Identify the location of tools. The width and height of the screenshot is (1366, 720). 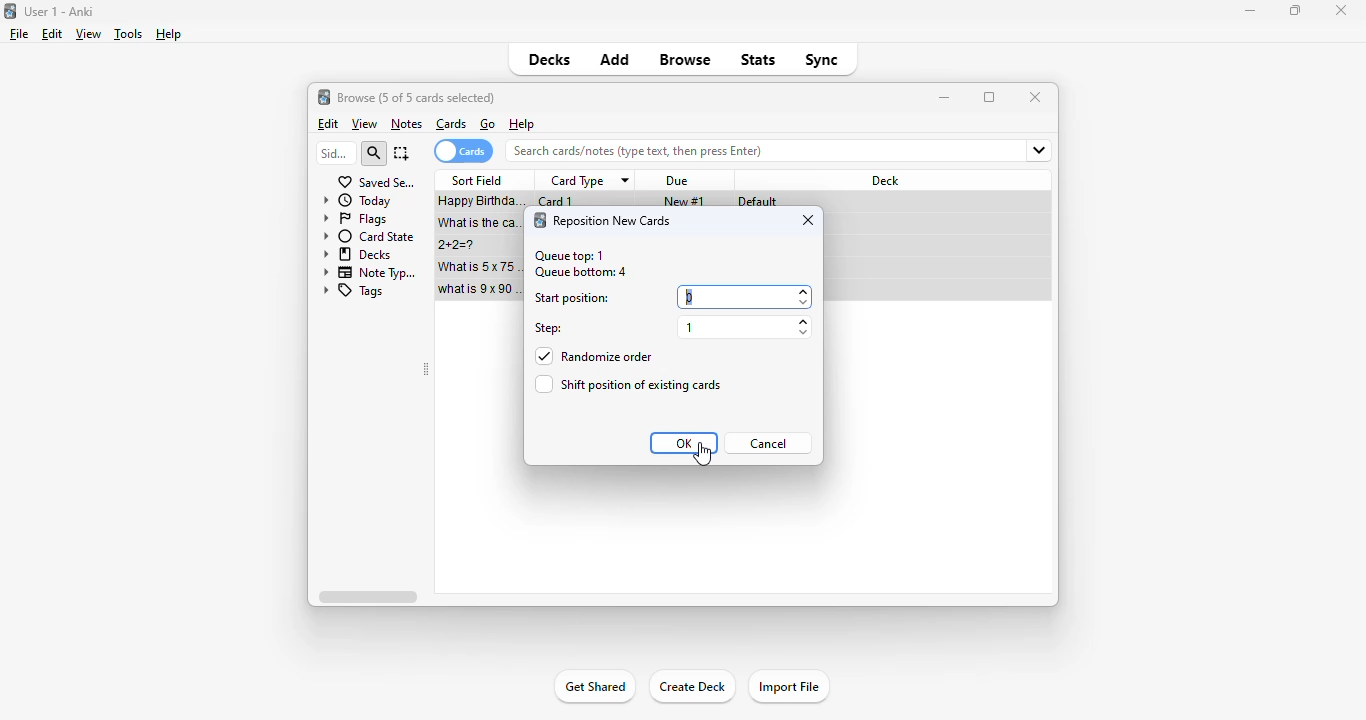
(128, 35).